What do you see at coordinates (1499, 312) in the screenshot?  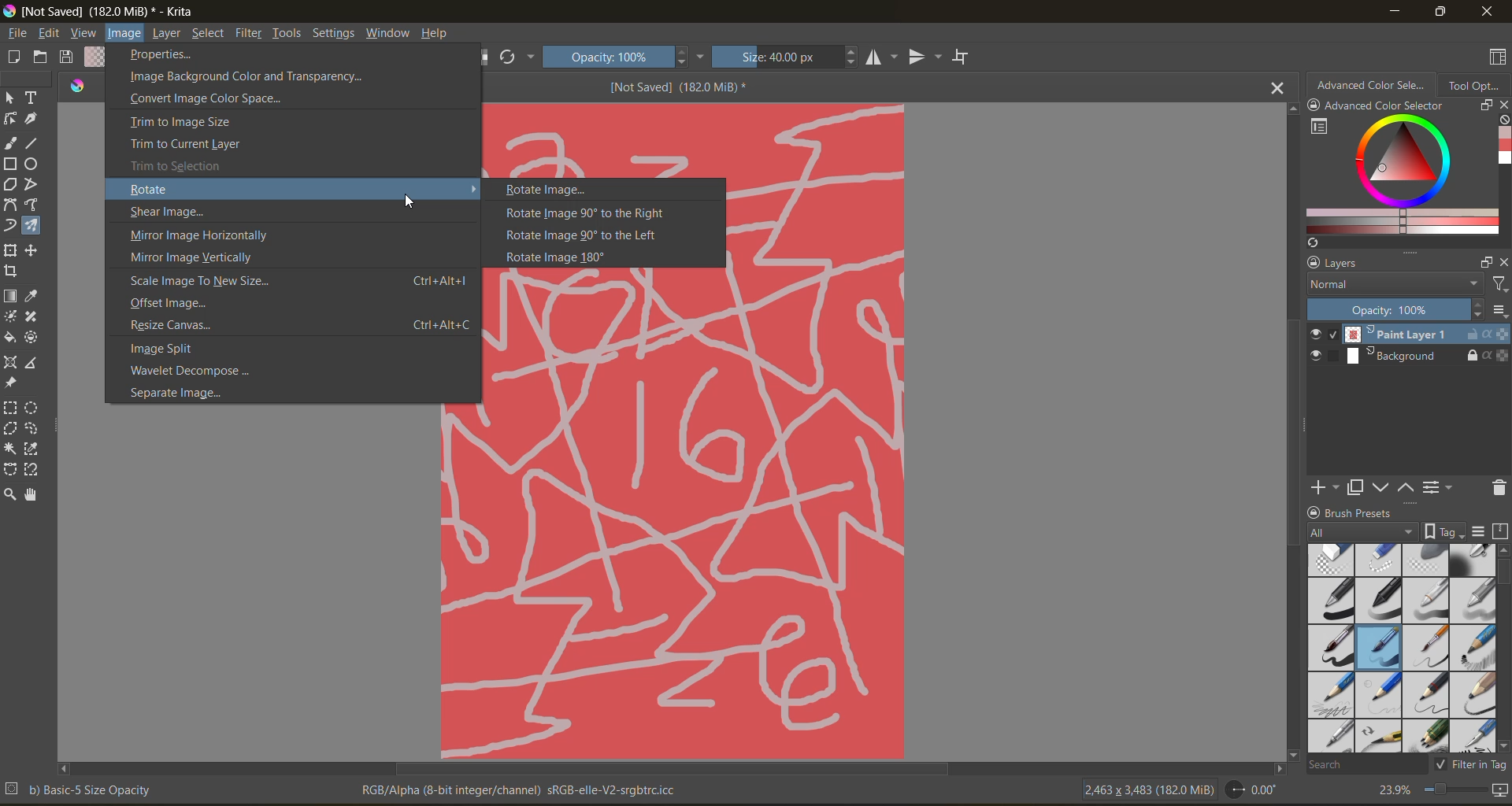 I see `options` at bounding box center [1499, 312].